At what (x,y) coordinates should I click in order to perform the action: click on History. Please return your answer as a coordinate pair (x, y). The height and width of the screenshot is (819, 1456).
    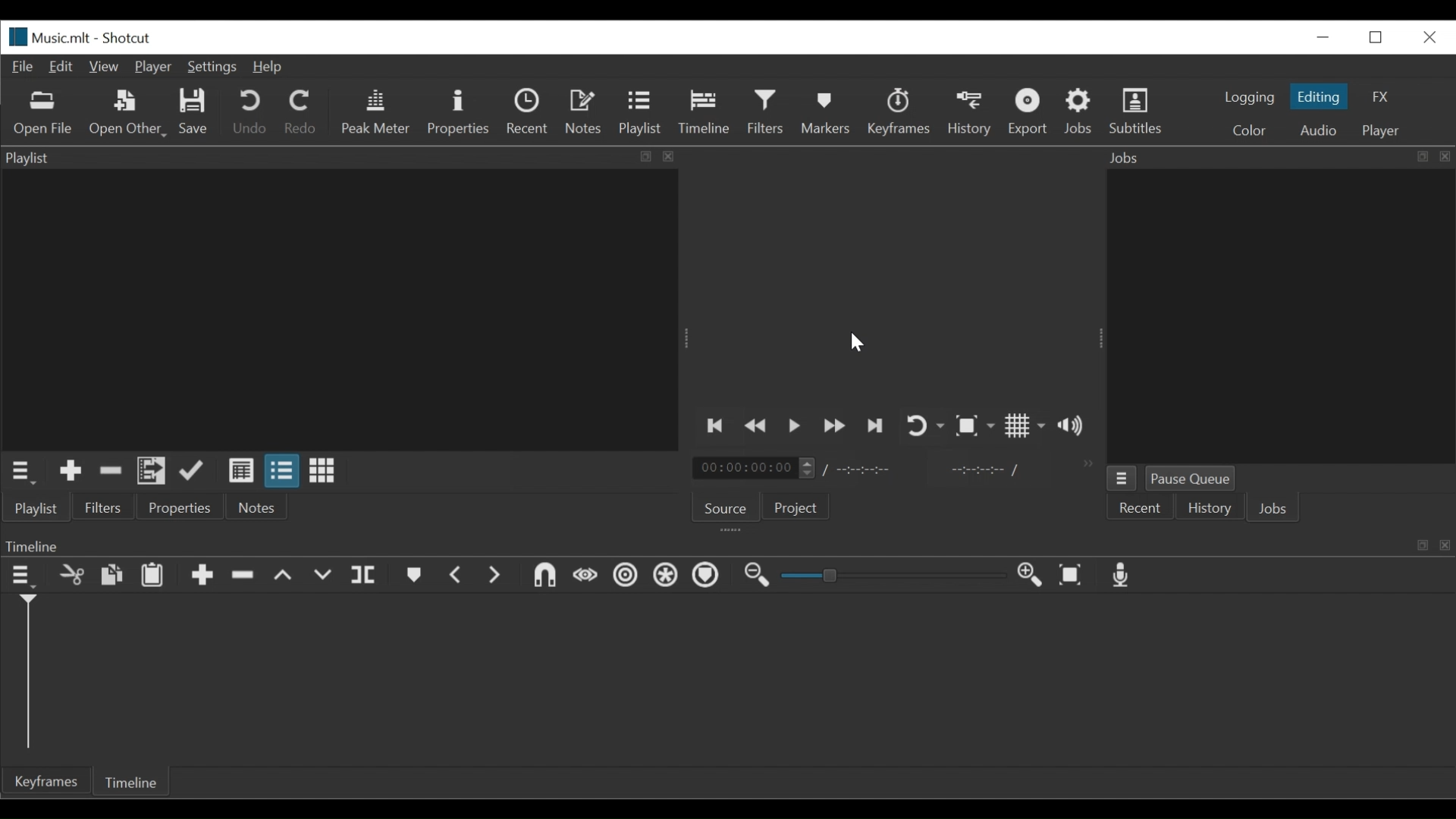
    Looking at the image, I should click on (973, 112).